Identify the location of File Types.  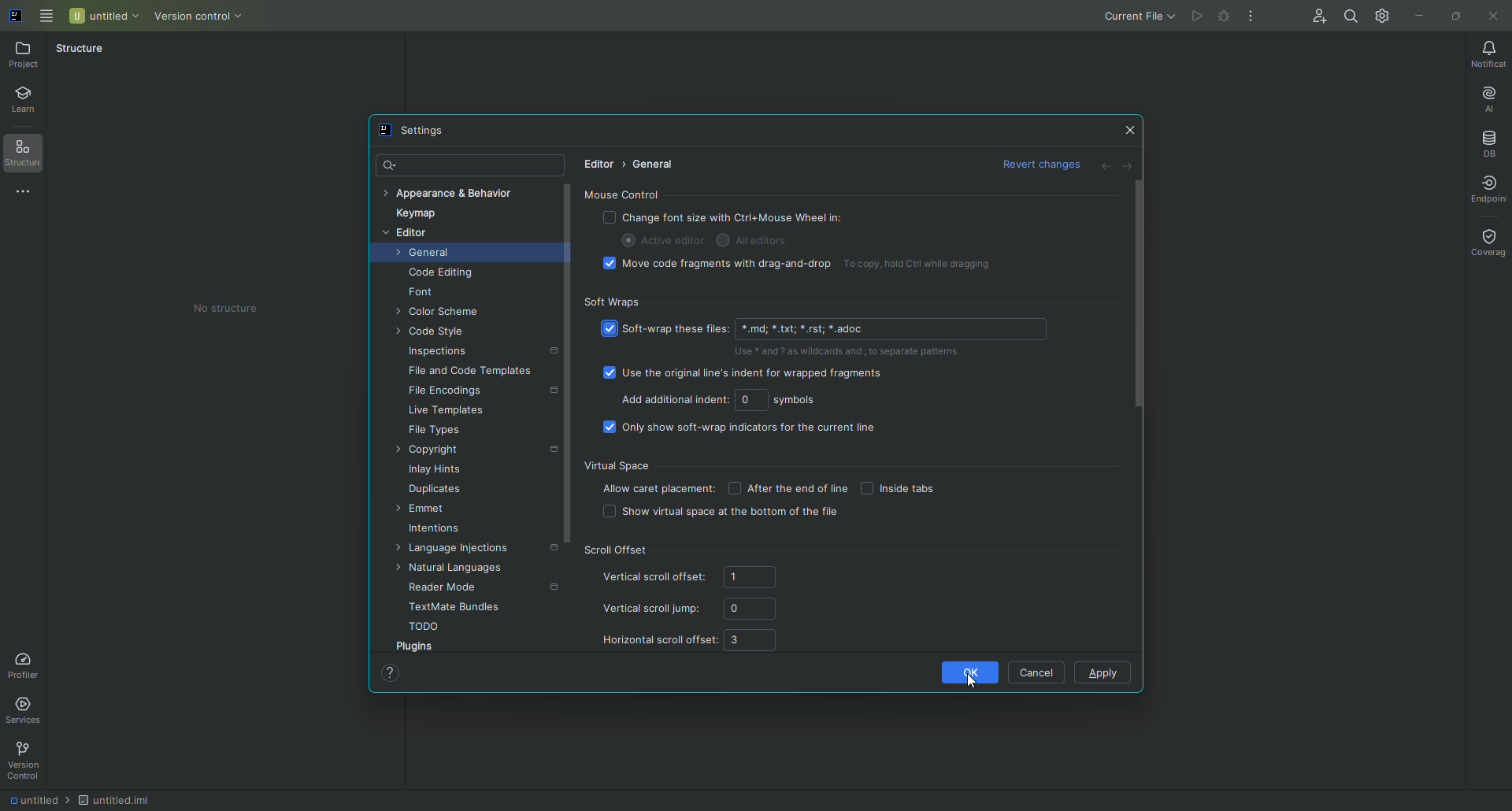
(435, 431).